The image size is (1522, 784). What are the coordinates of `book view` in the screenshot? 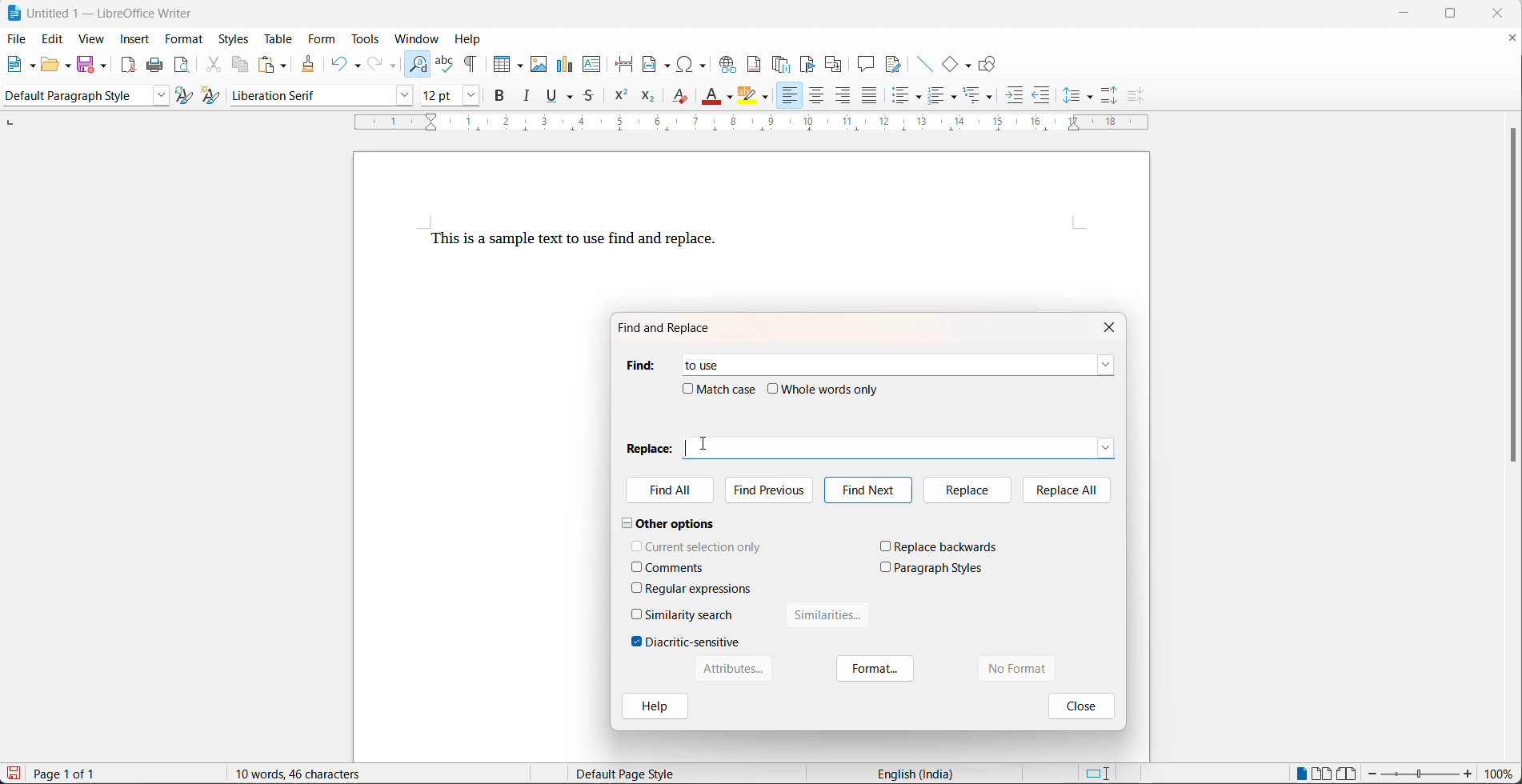 It's located at (1348, 773).